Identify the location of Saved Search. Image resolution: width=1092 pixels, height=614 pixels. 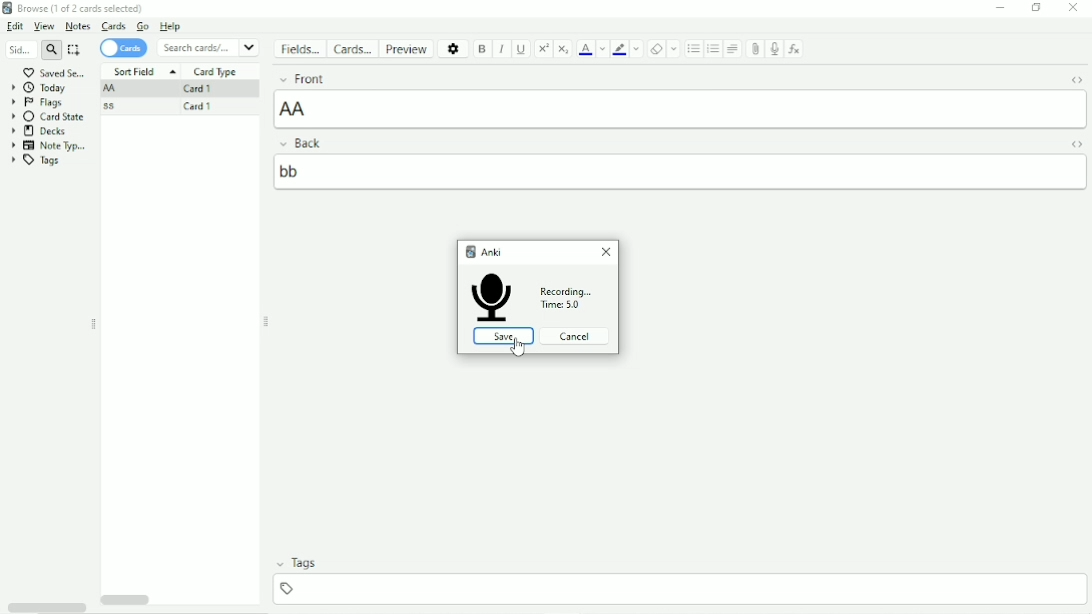
(54, 73).